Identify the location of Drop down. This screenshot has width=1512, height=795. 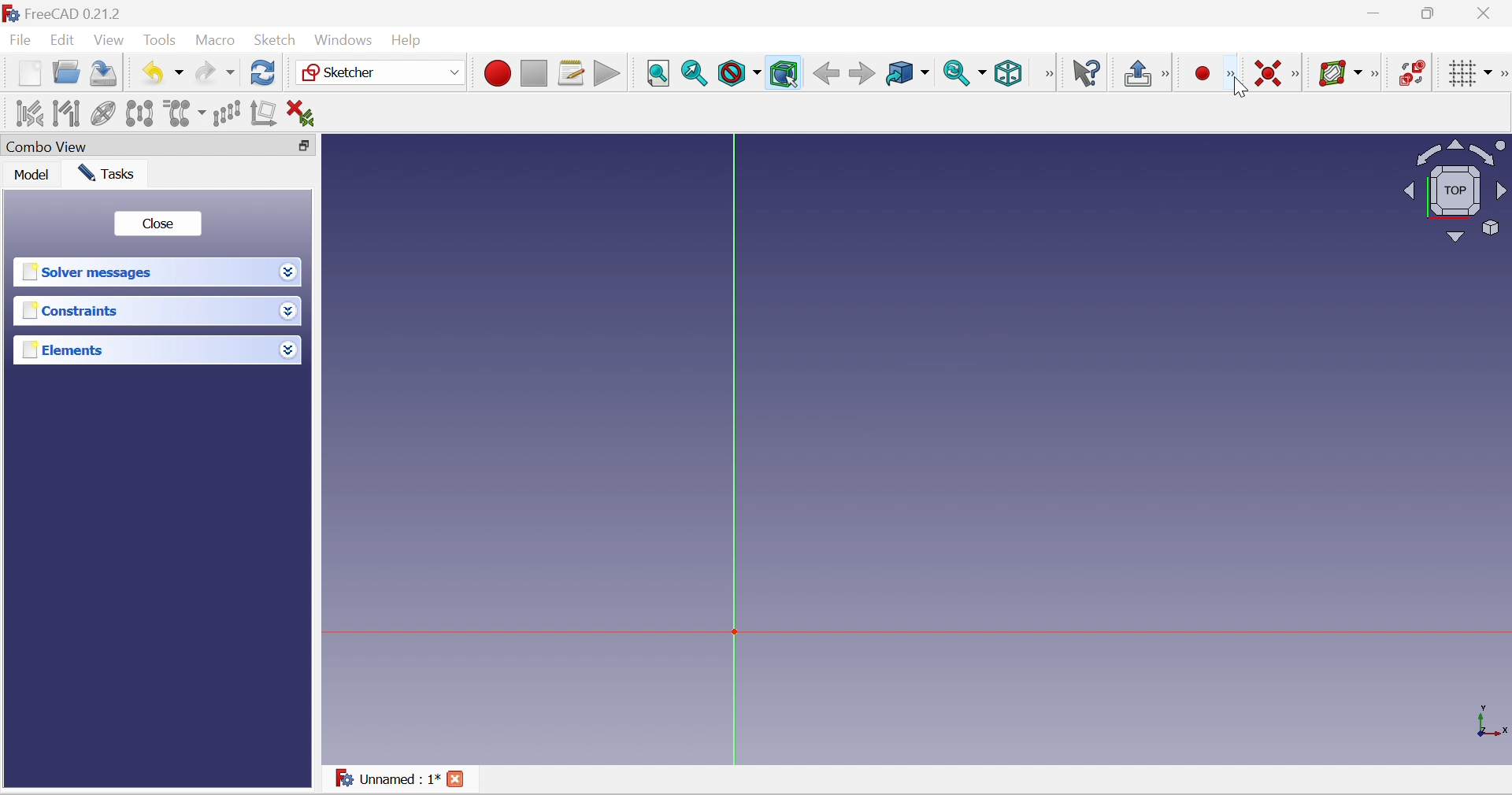
(289, 312).